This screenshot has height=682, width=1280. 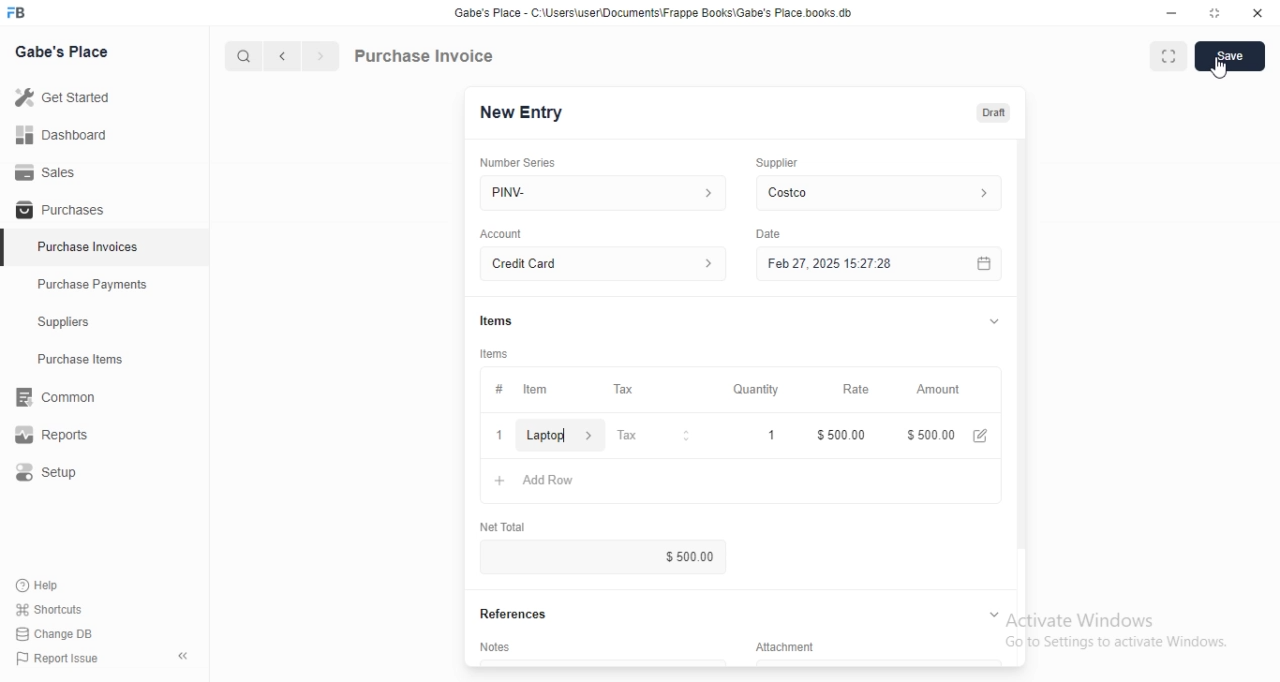 What do you see at coordinates (58, 658) in the screenshot?
I see `Report Issue` at bounding box center [58, 658].